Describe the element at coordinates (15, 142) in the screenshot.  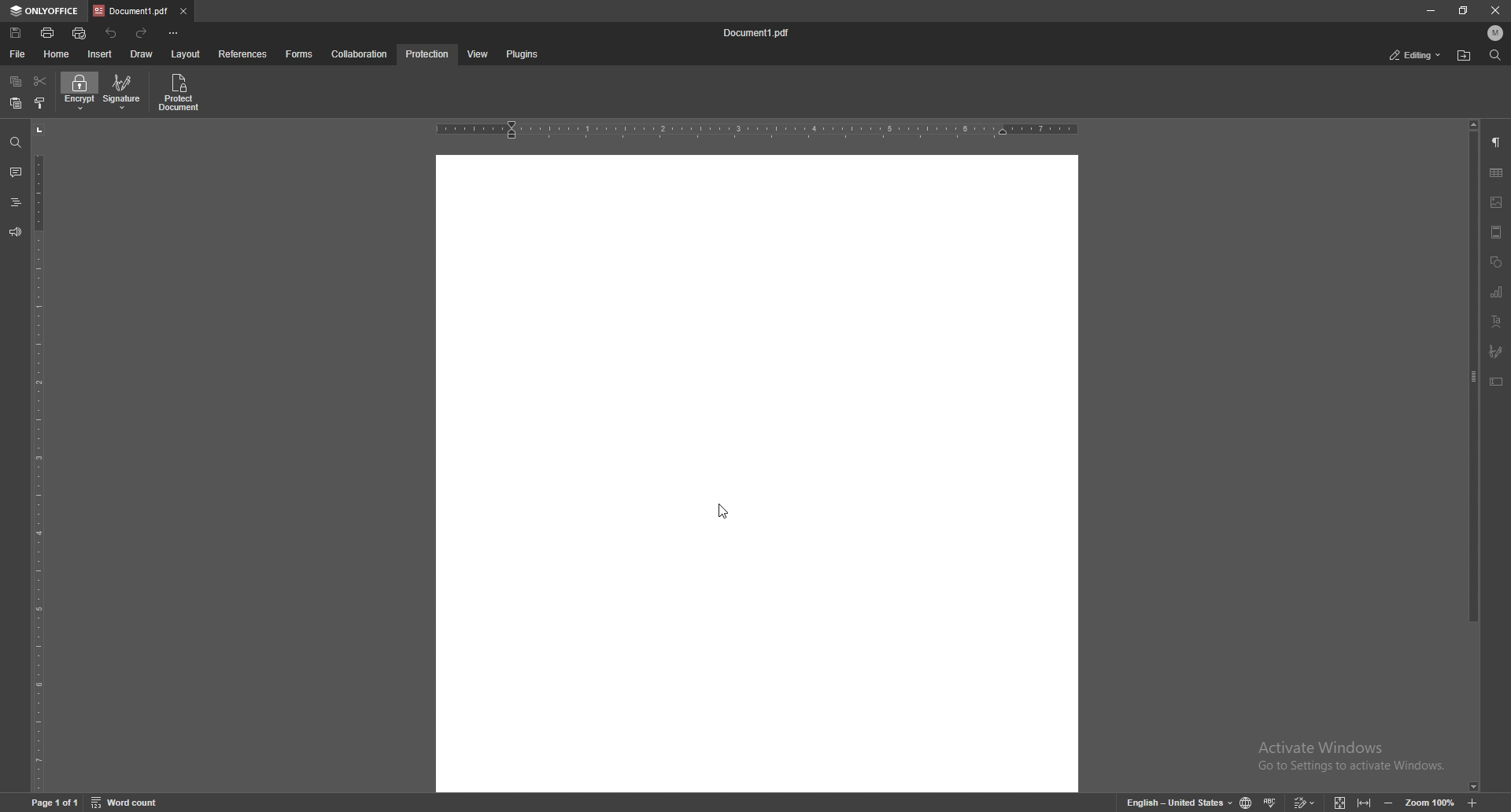
I see `find` at that location.